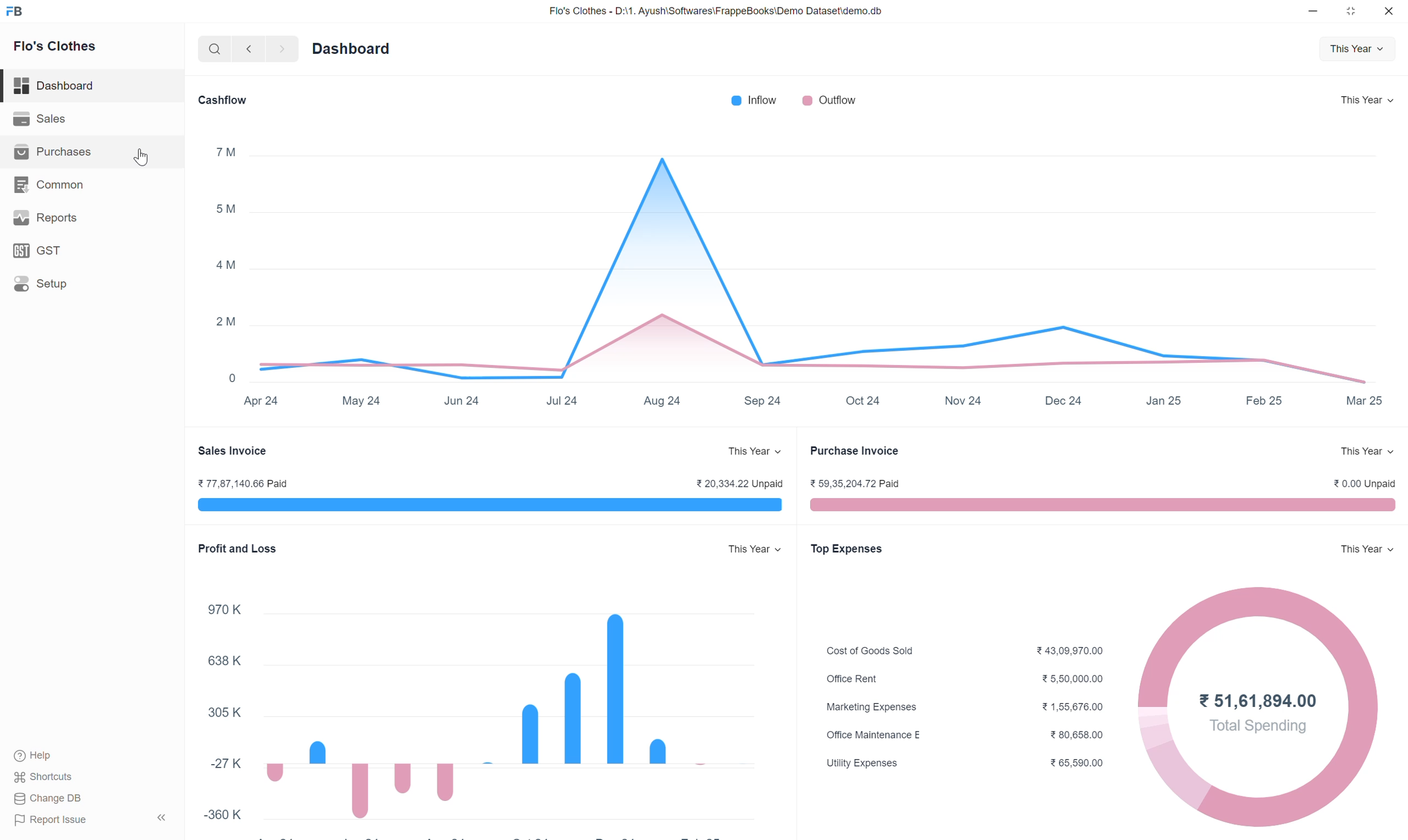  Describe the element at coordinates (236, 451) in the screenshot. I see `Sales Invoice` at that location.